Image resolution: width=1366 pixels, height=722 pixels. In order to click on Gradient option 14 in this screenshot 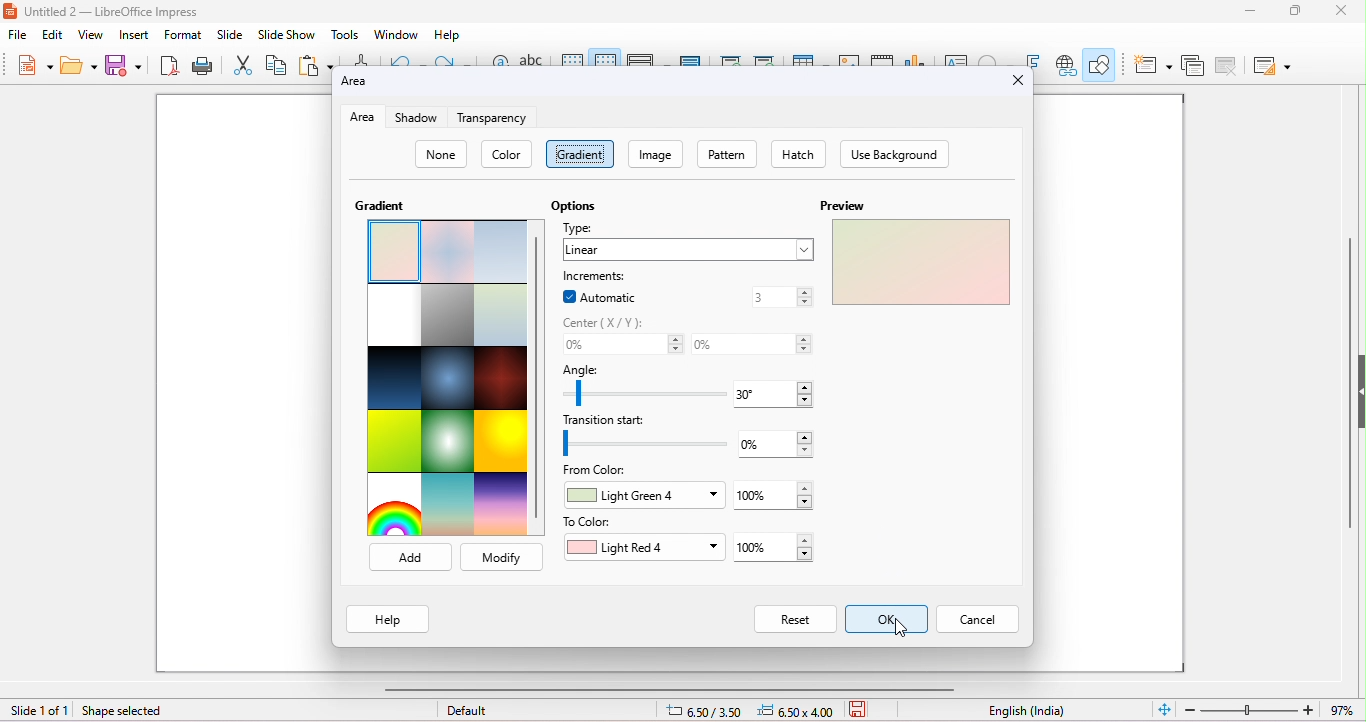, I will do `click(449, 503)`.